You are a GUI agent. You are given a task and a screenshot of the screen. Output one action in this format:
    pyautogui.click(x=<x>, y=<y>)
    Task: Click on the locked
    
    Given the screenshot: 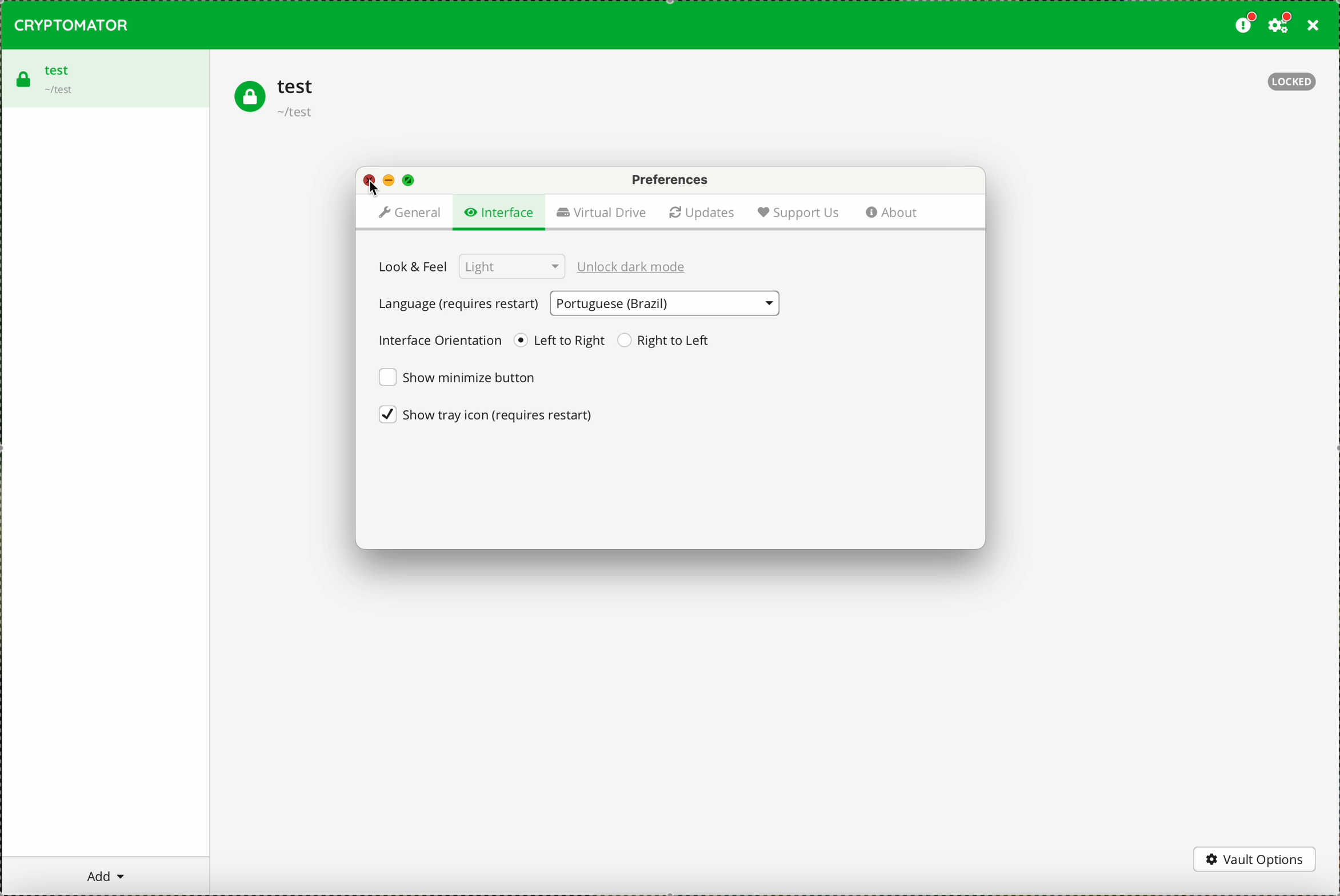 What is the action you would take?
    pyautogui.click(x=1292, y=82)
    